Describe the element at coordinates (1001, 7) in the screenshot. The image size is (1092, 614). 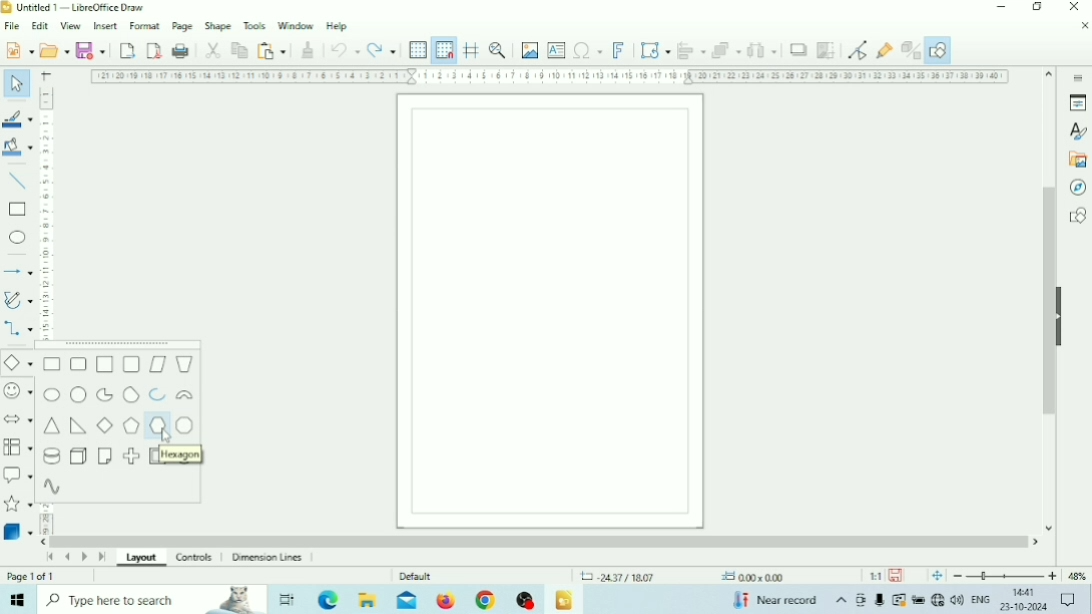
I see `Minimize` at that location.